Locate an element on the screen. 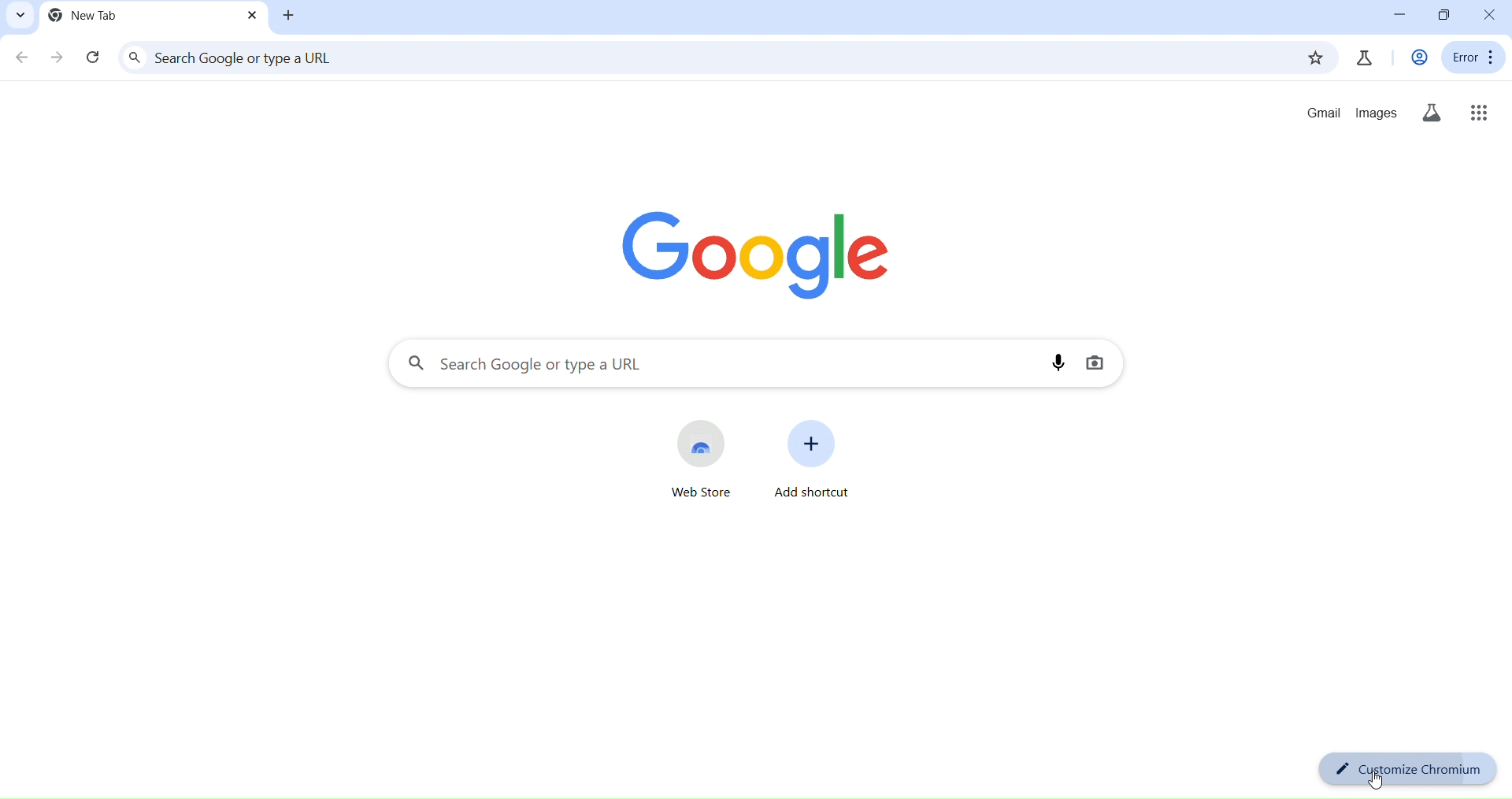  search tabs is located at coordinates (20, 17).